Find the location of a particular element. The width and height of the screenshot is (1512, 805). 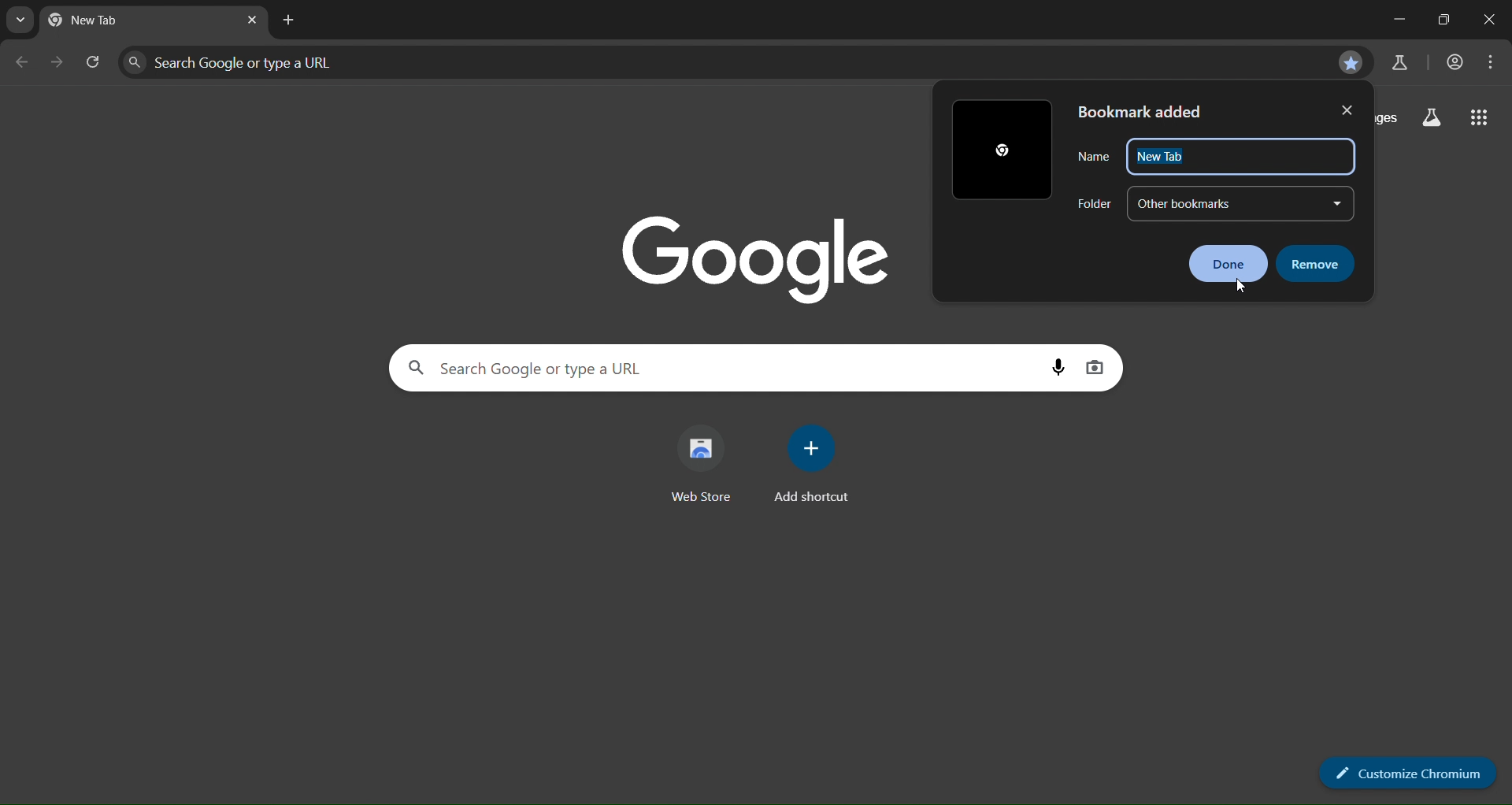

current tab is located at coordinates (138, 20).